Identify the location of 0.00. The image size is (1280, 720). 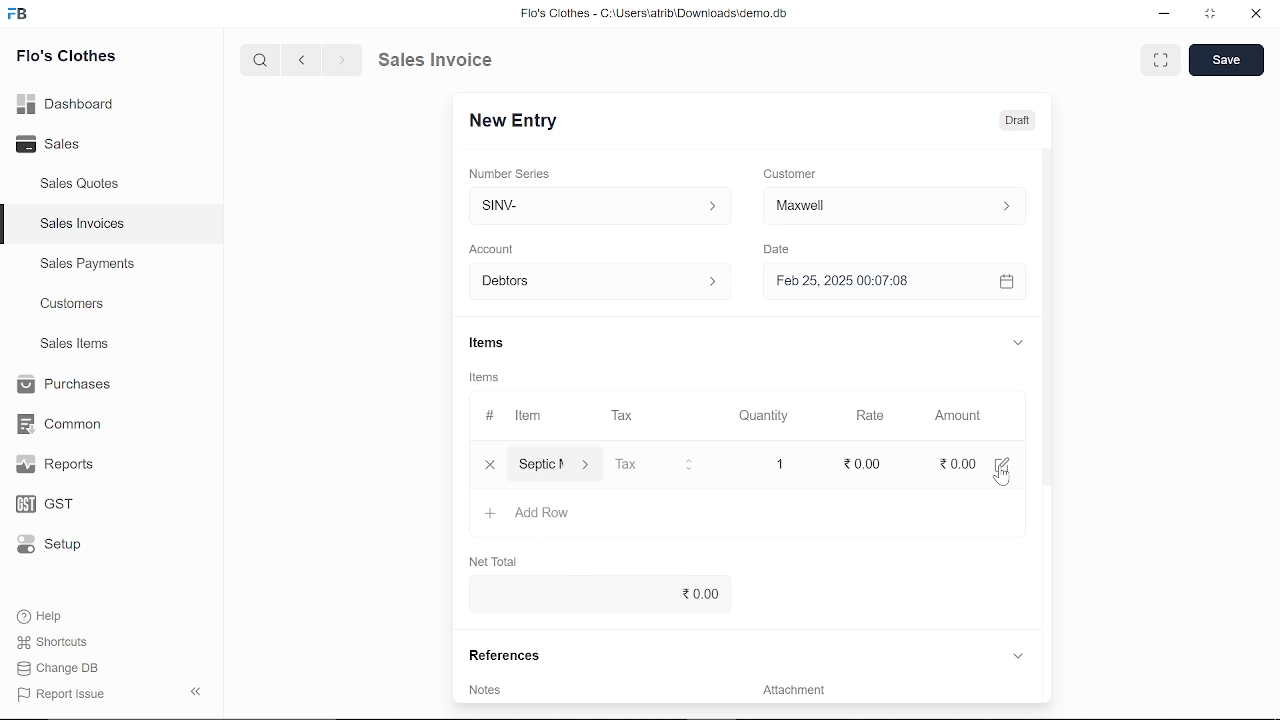
(955, 463).